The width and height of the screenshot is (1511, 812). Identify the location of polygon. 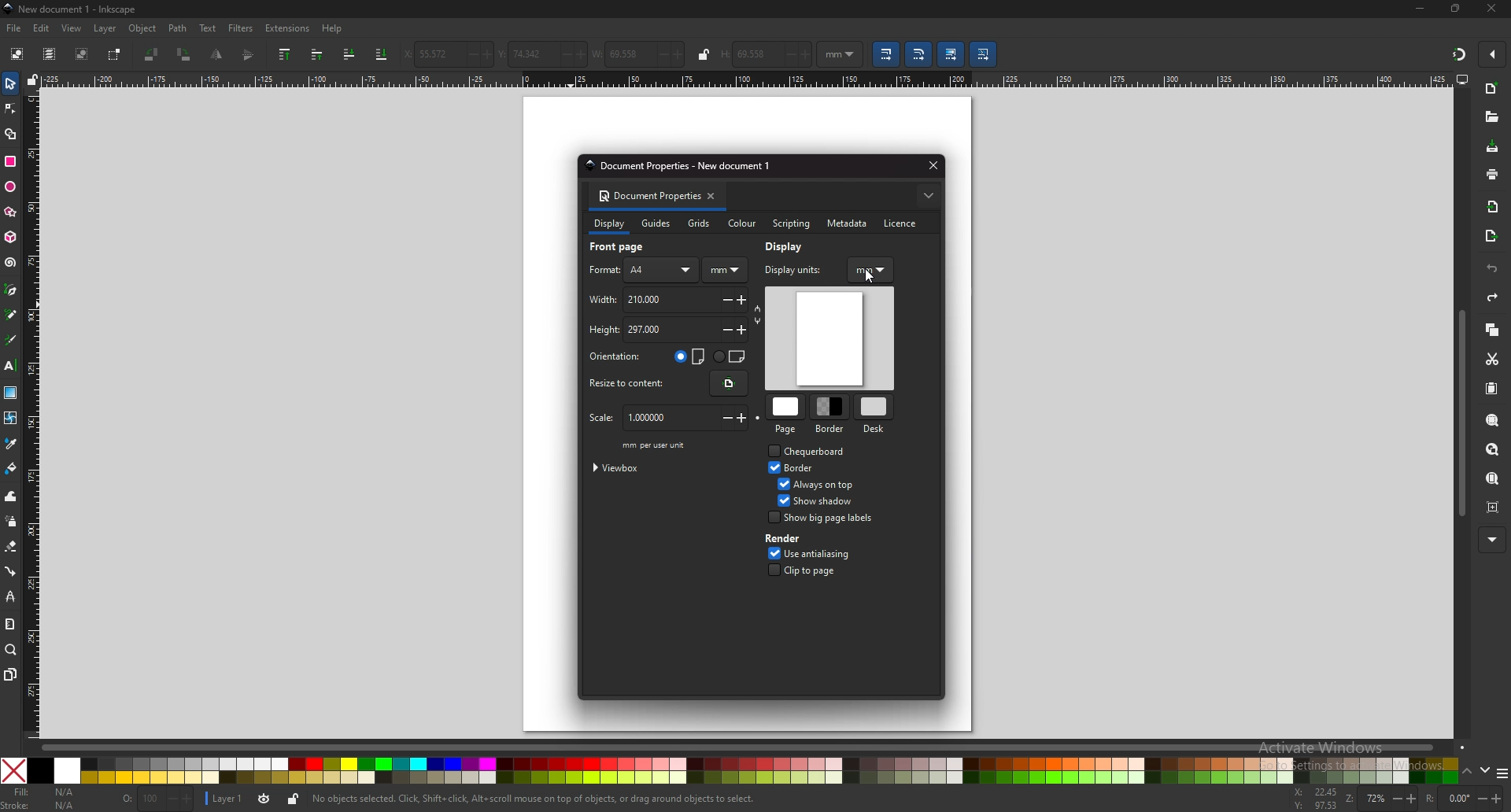
(10, 212).